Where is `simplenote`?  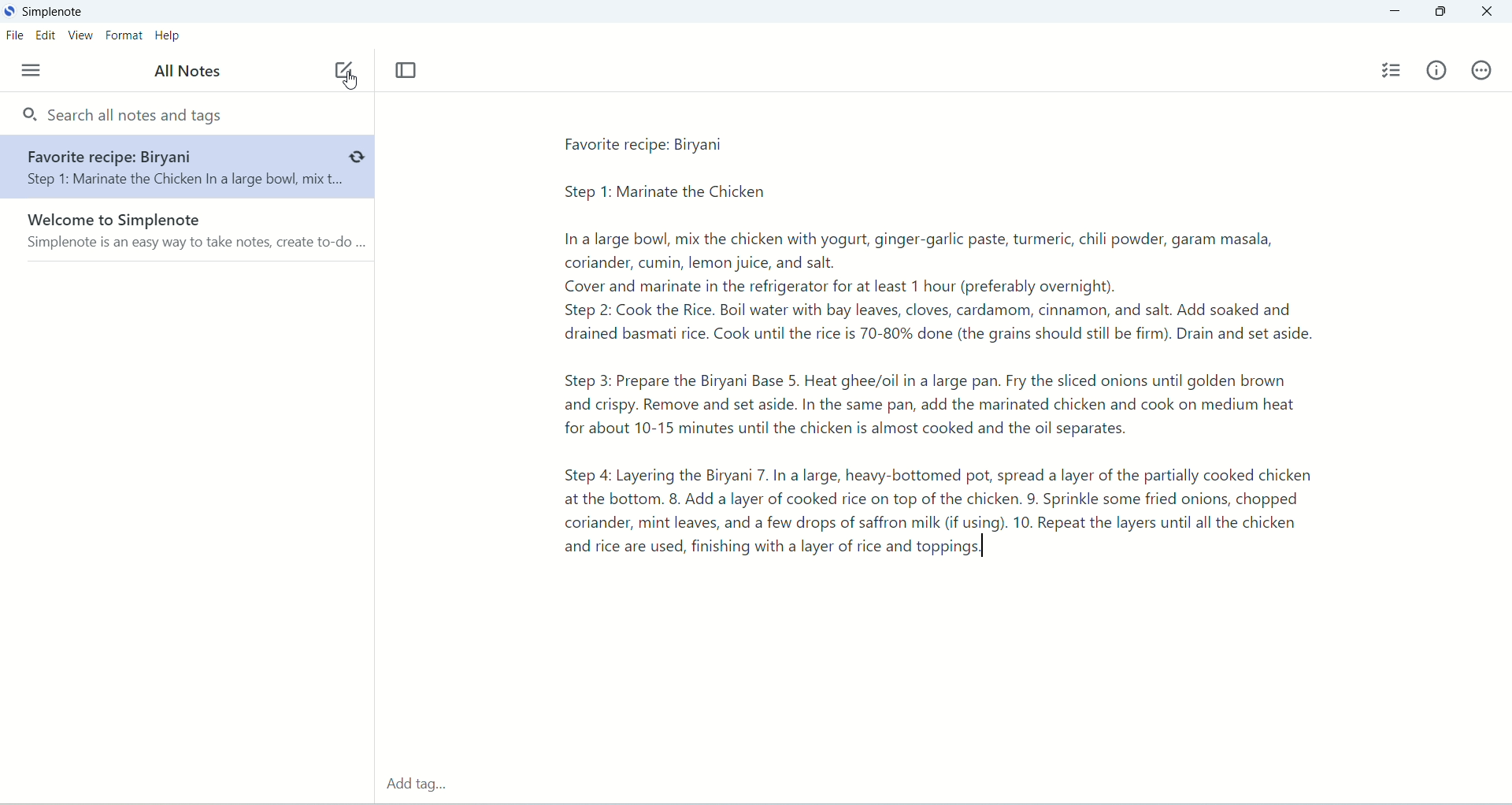 simplenote is located at coordinates (54, 12).